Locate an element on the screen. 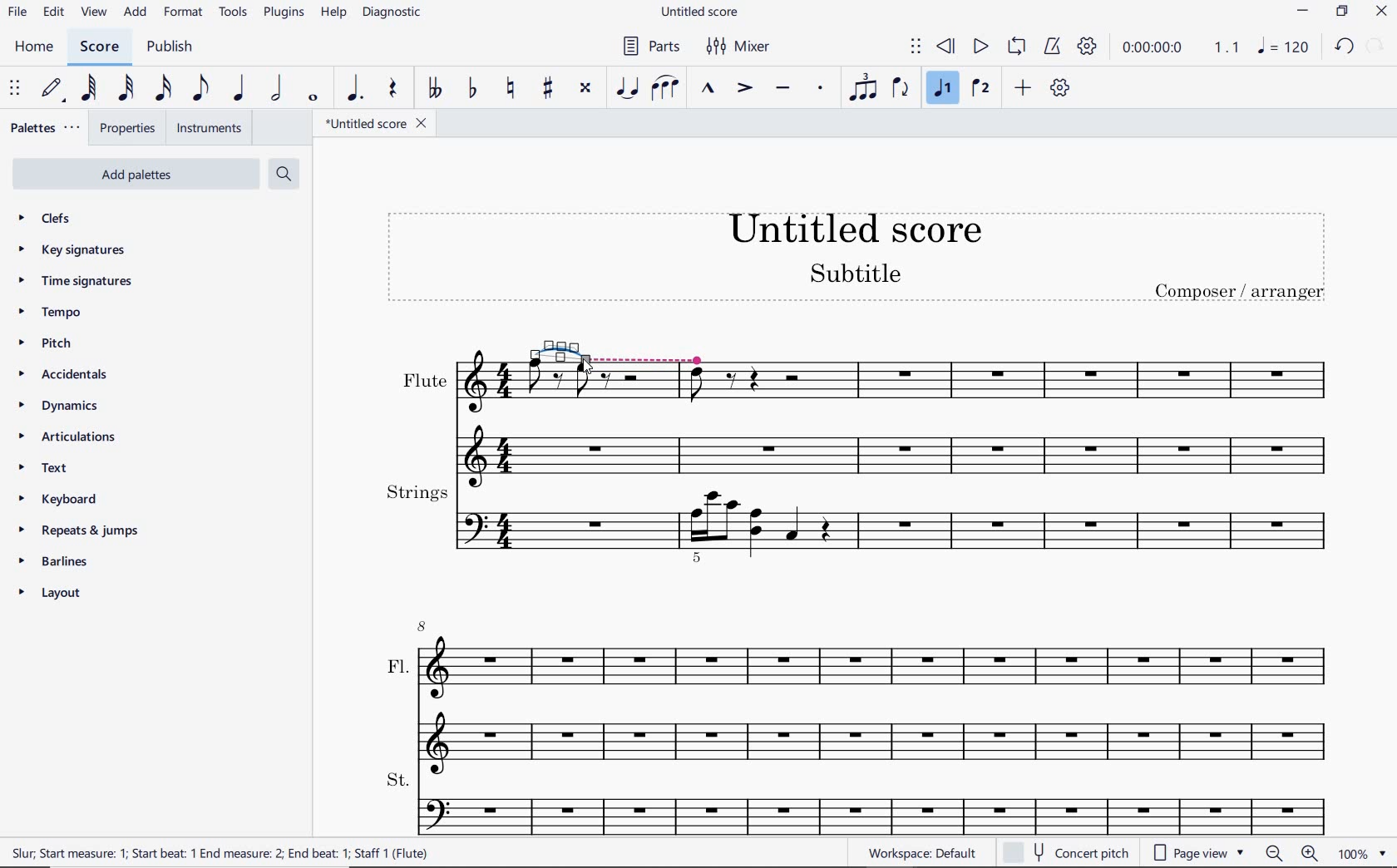  parts is located at coordinates (653, 47).